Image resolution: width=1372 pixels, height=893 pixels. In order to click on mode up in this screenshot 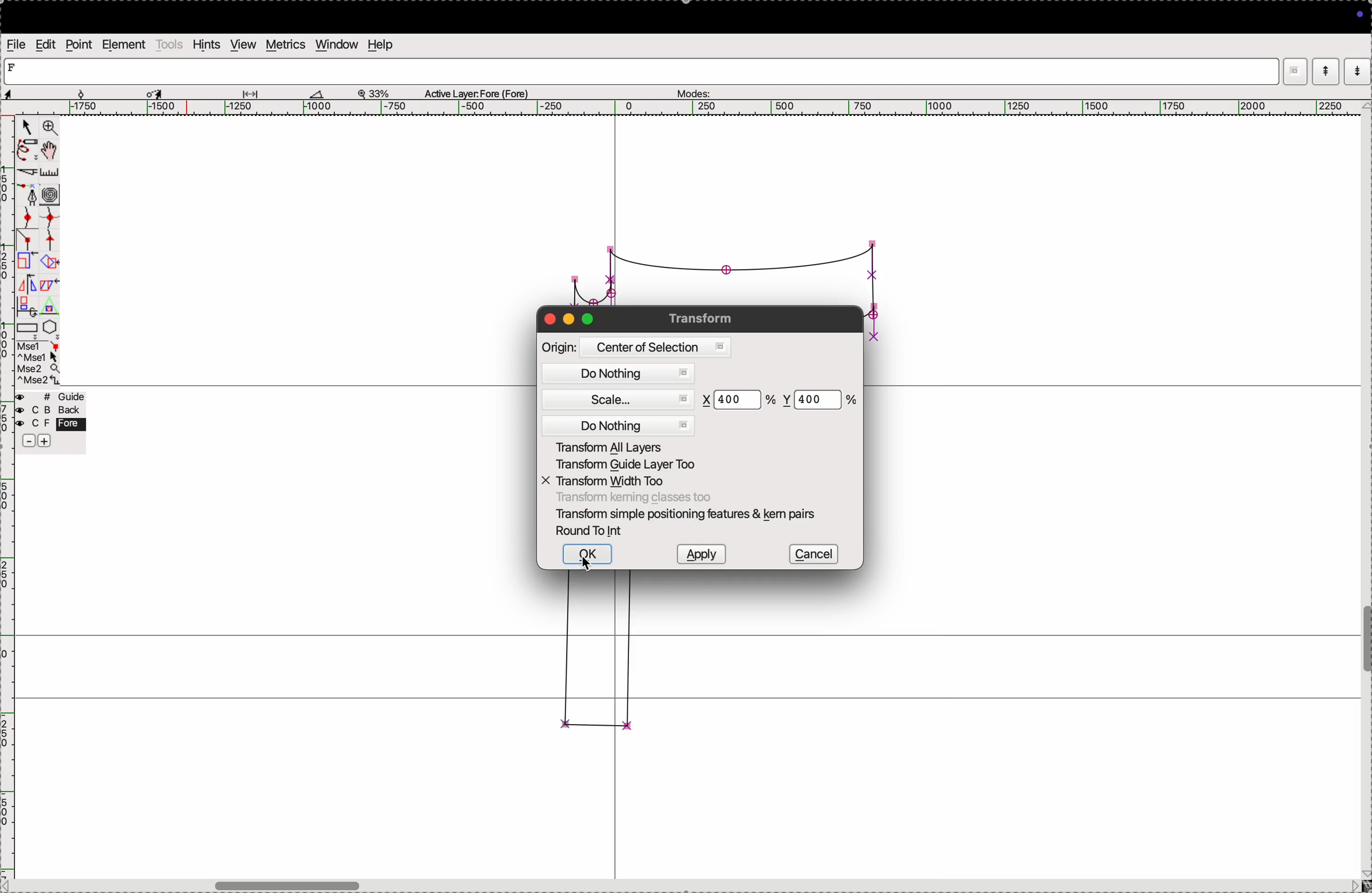, I will do `click(1324, 71)`.